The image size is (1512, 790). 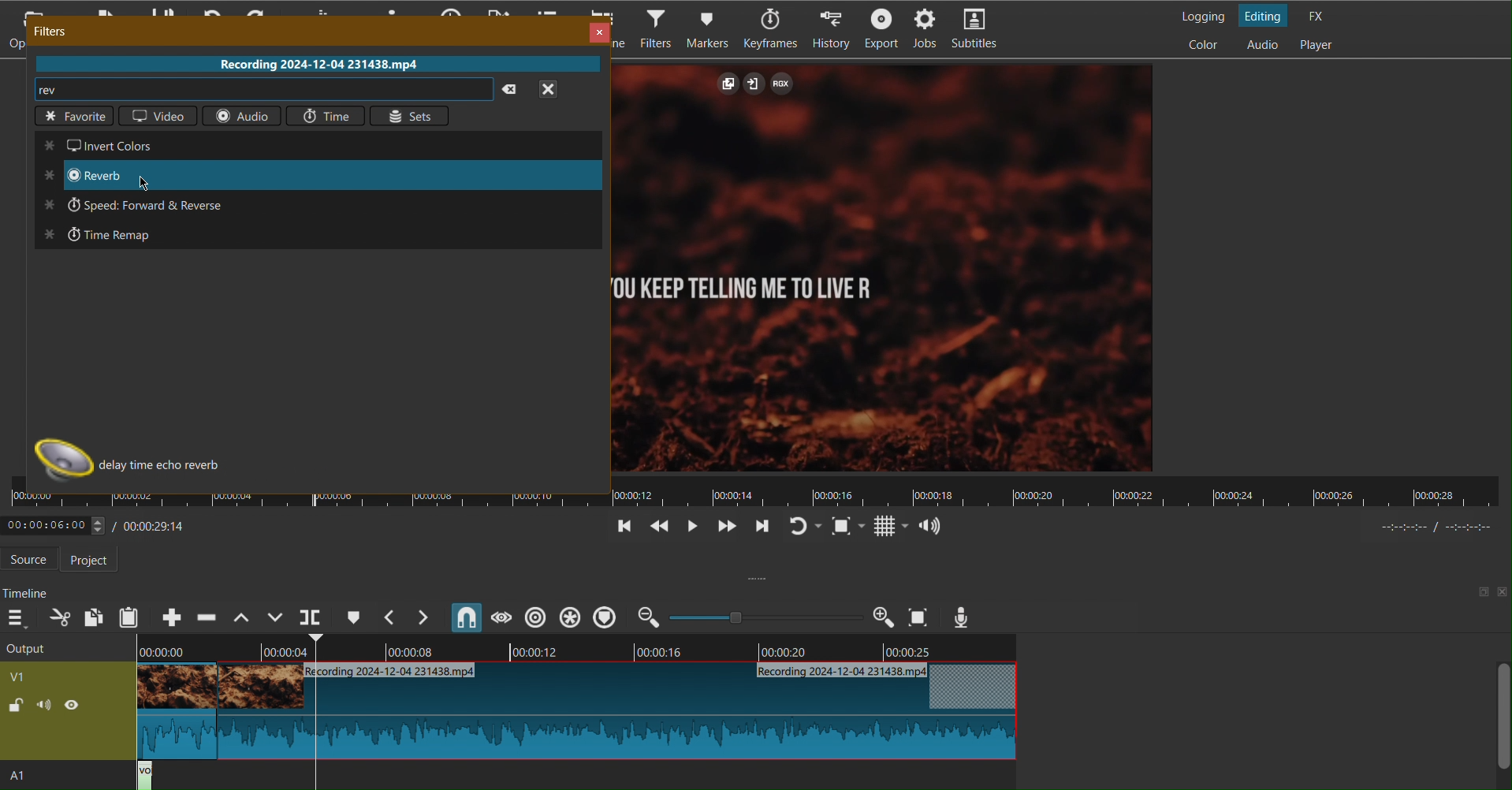 I want to click on Project, so click(x=95, y=560).